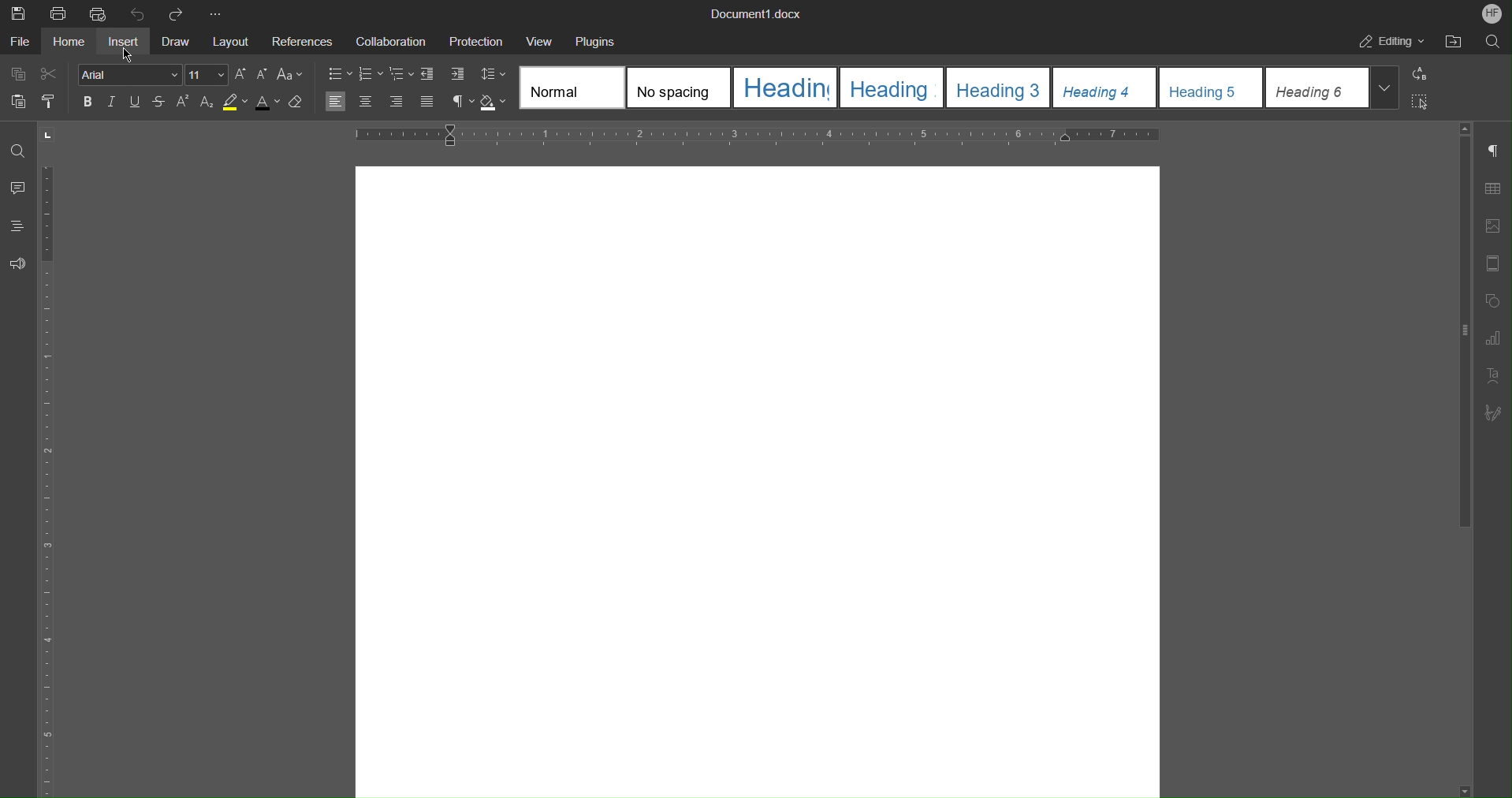 The width and height of the screenshot is (1512, 798). What do you see at coordinates (302, 41) in the screenshot?
I see `References` at bounding box center [302, 41].